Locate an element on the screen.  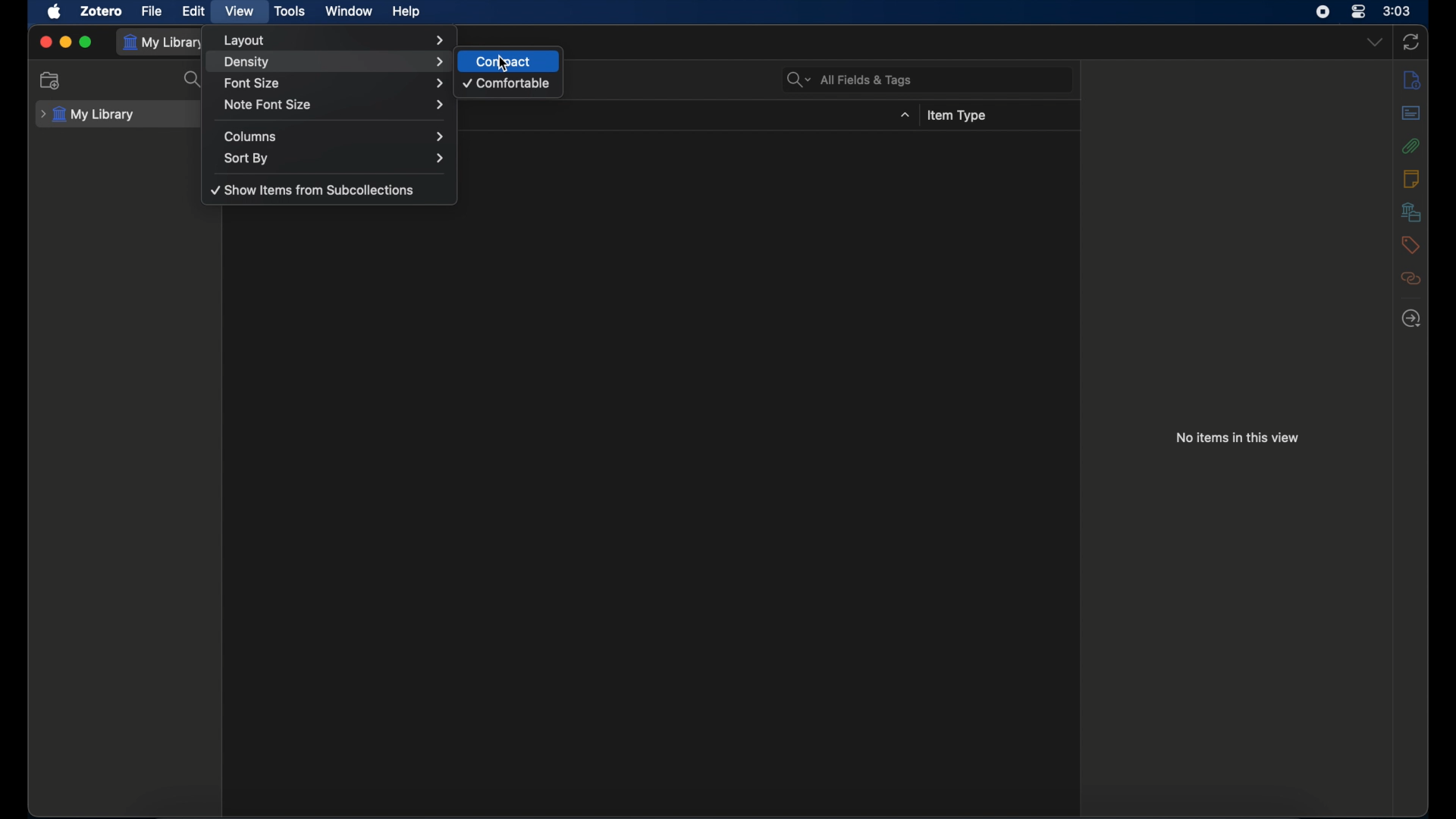
minimize is located at coordinates (67, 42).